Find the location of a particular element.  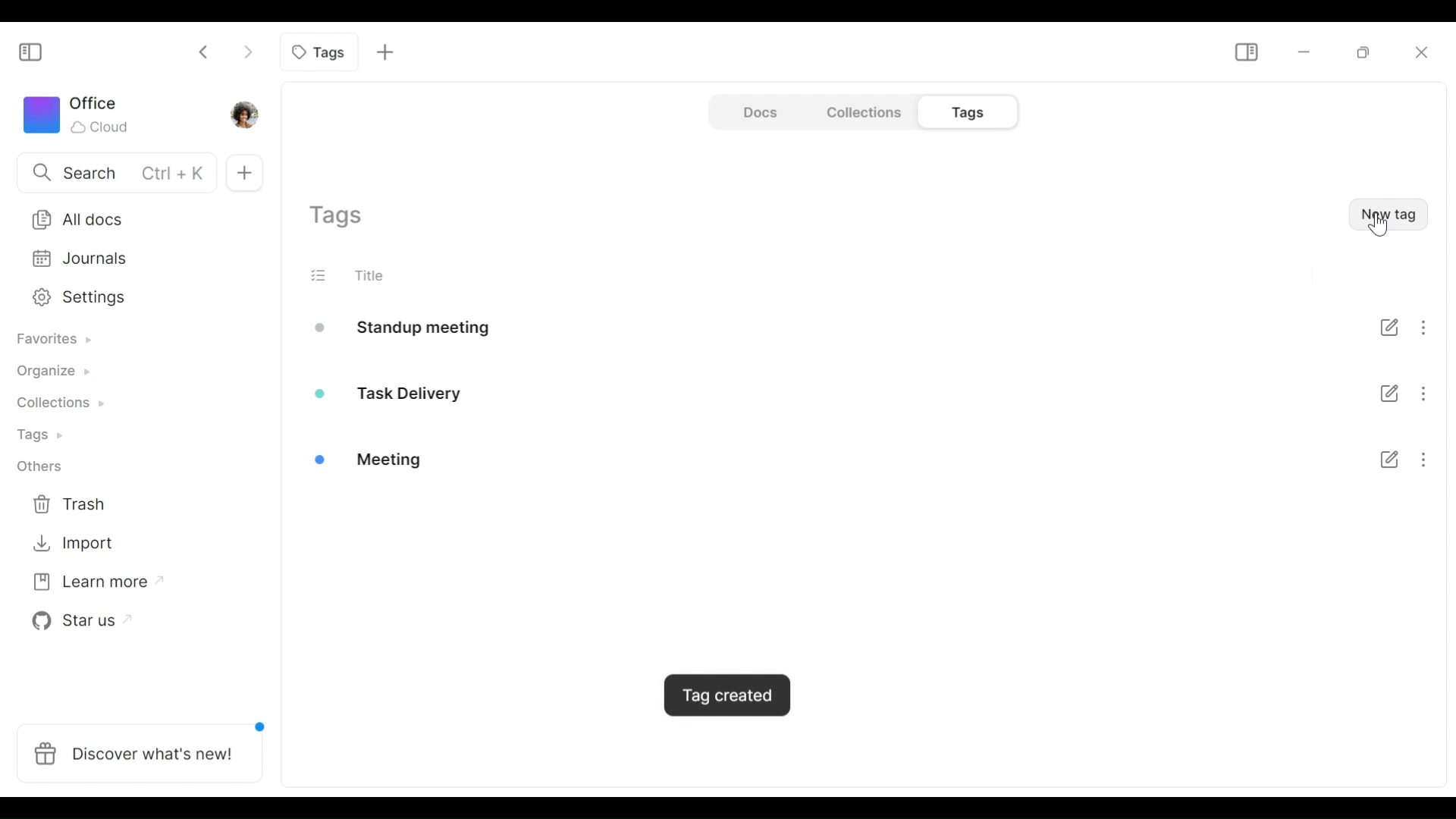

Restore is located at coordinates (1363, 53).